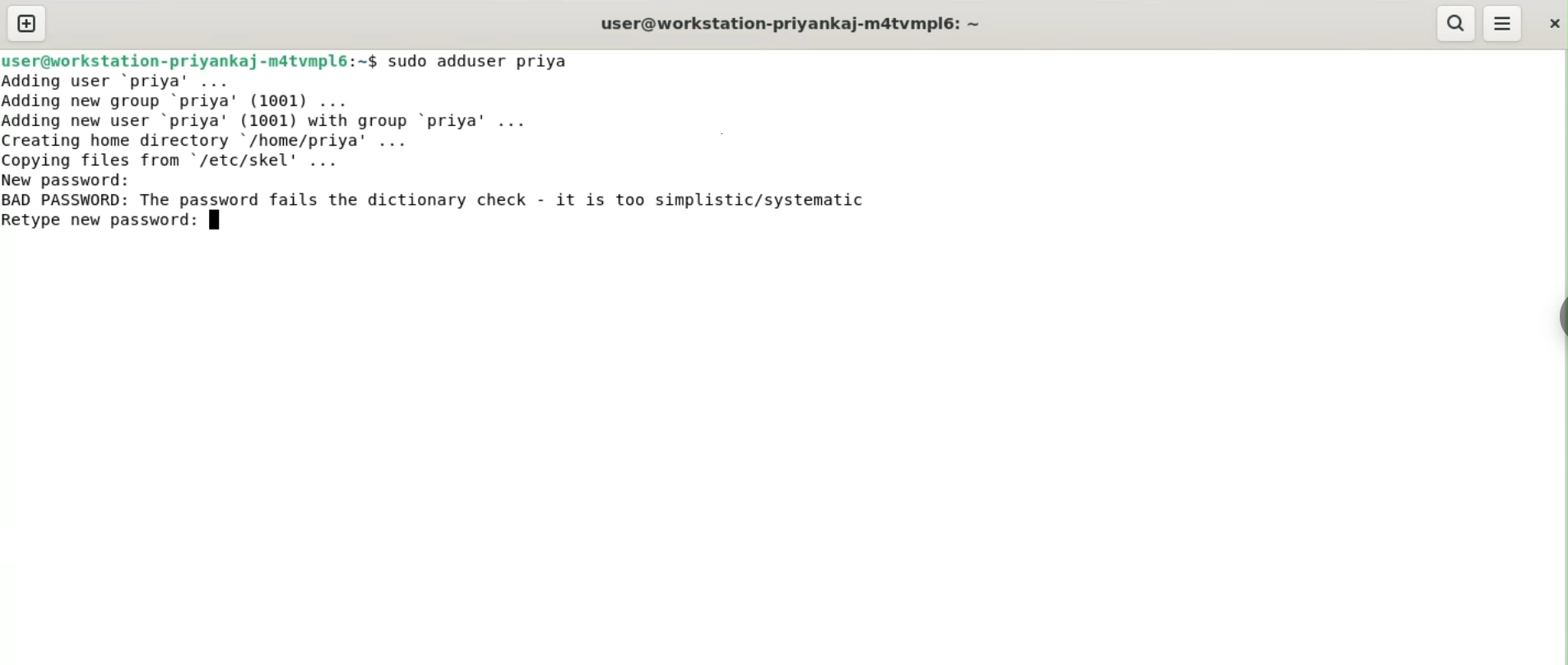  Describe the element at coordinates (787, 23) in the screenshot. I see `user@workstation-priyankaj-m4tvmpl6:~` at that location.